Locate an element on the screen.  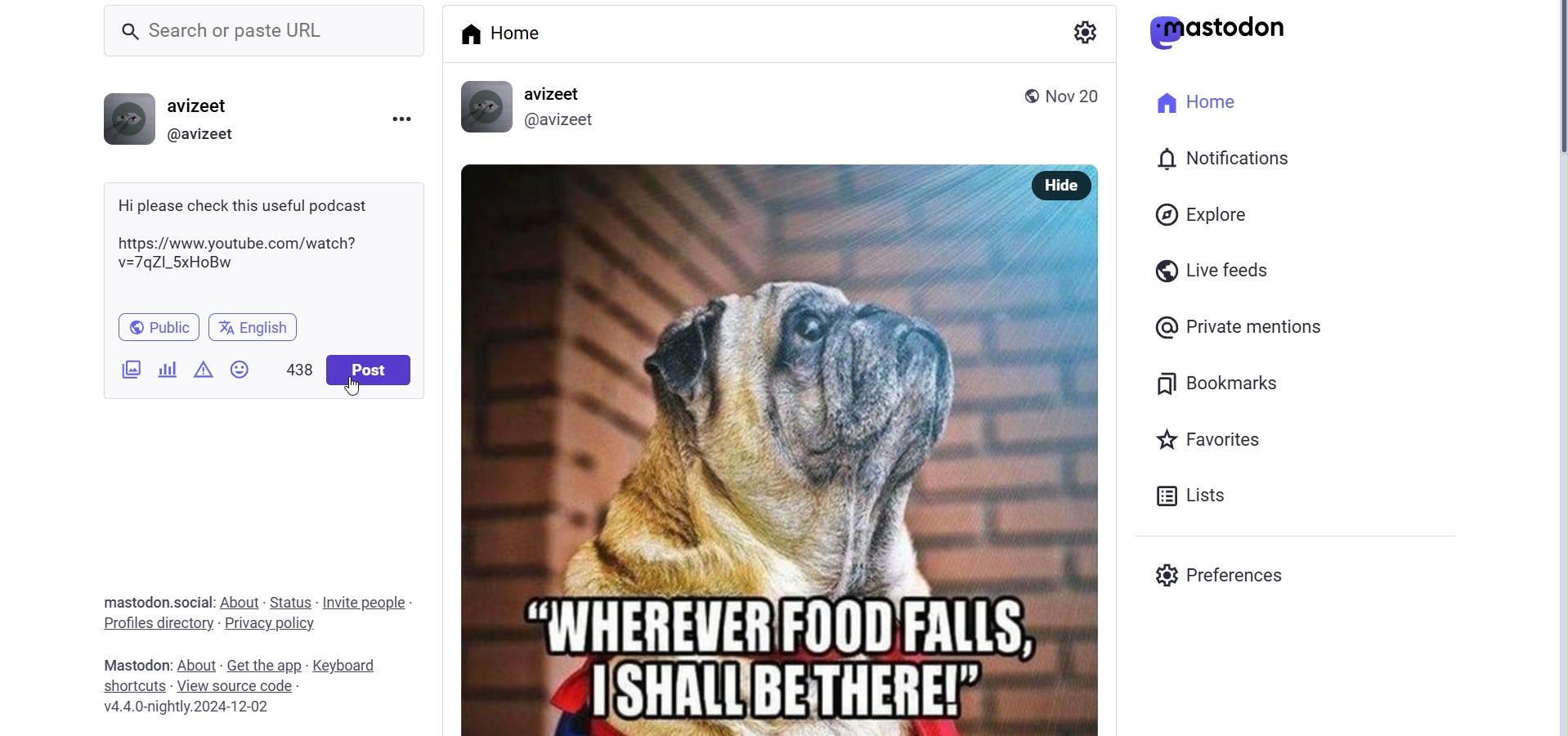
cursor is located at coordinates (352, 388).